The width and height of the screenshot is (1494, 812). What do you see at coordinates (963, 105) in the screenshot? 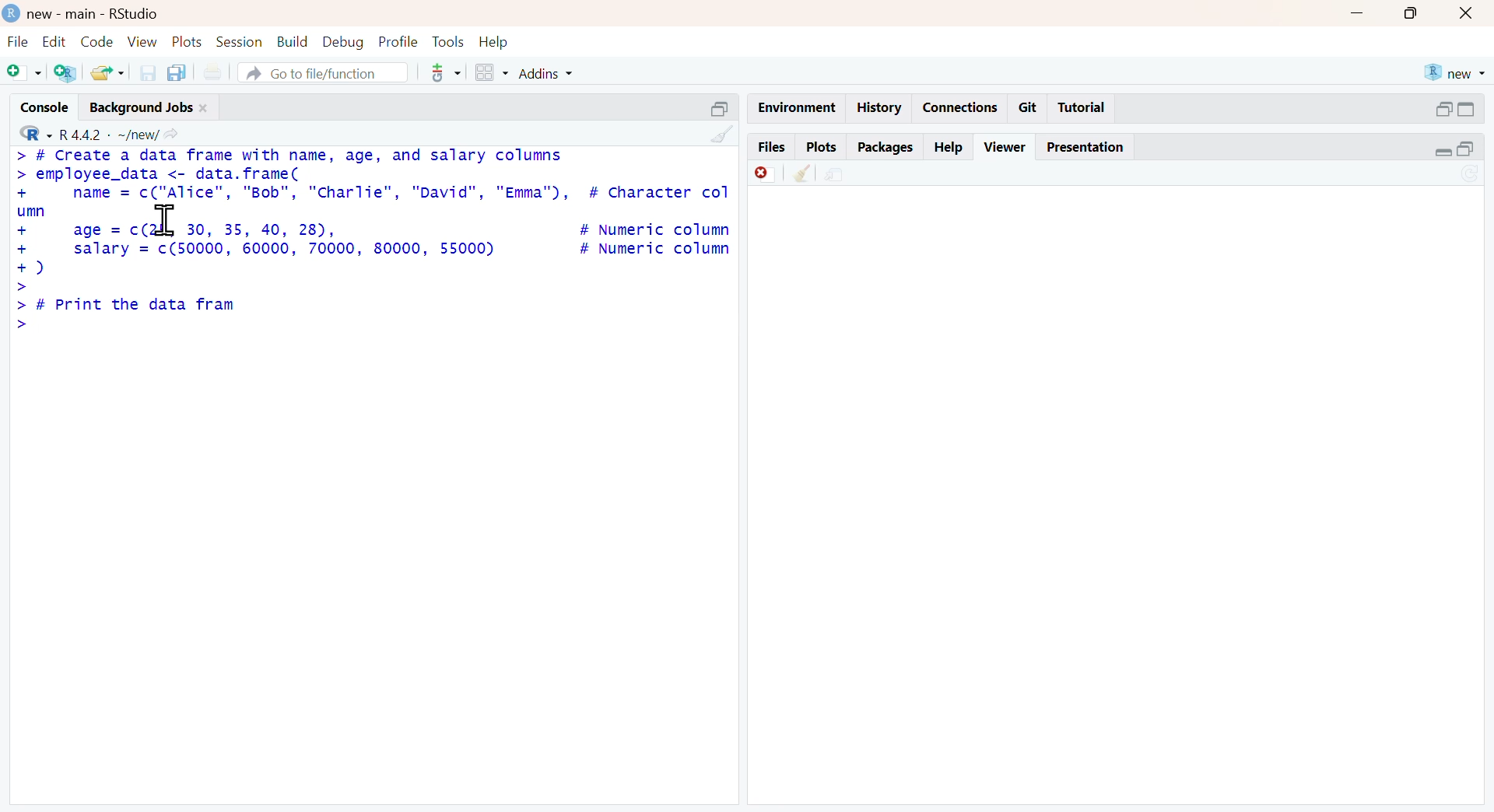
I see `Connections` at bounding box center [963, 105].